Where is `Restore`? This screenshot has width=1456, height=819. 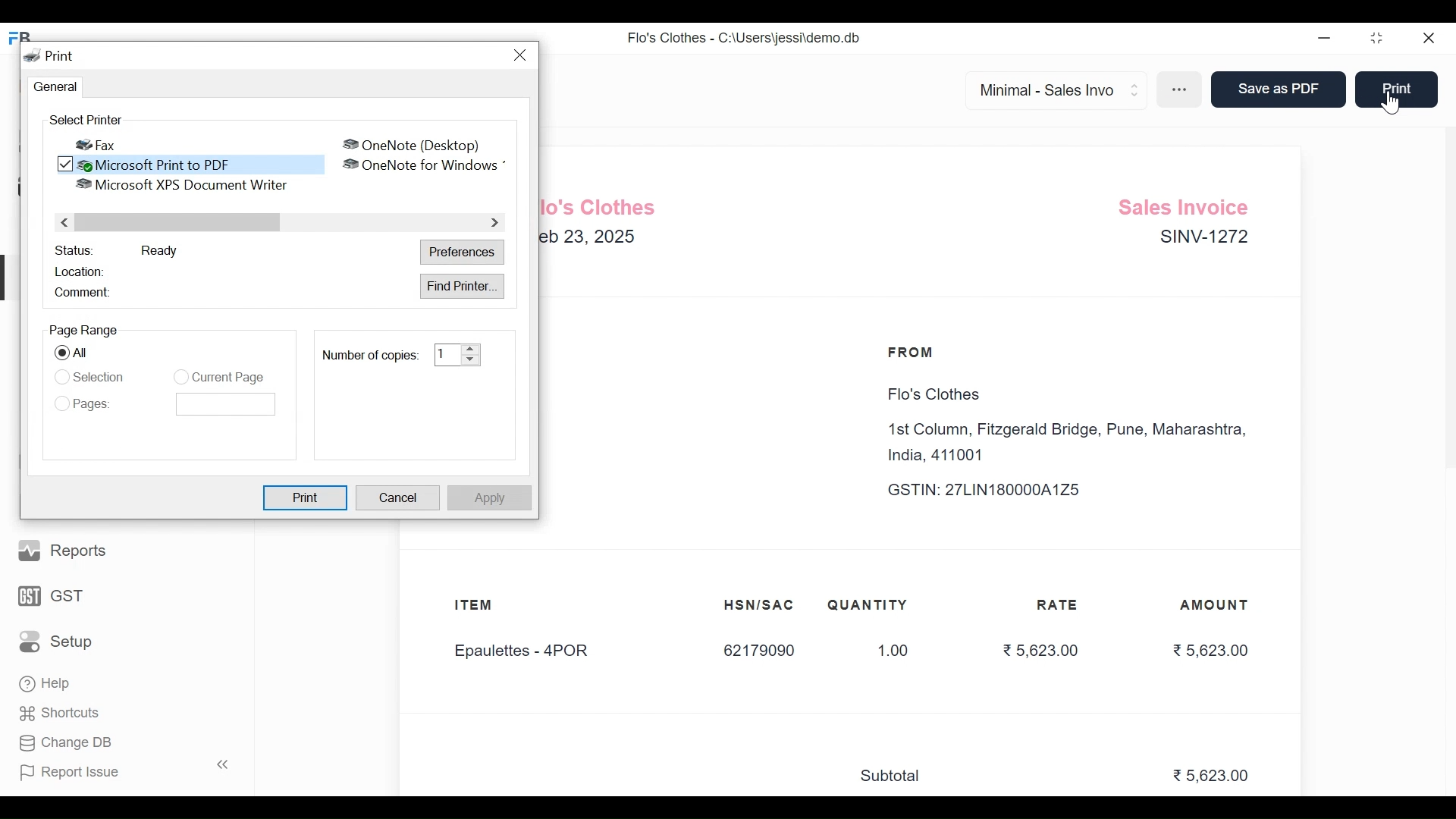
Restore is located at coordinates (1379, 39).